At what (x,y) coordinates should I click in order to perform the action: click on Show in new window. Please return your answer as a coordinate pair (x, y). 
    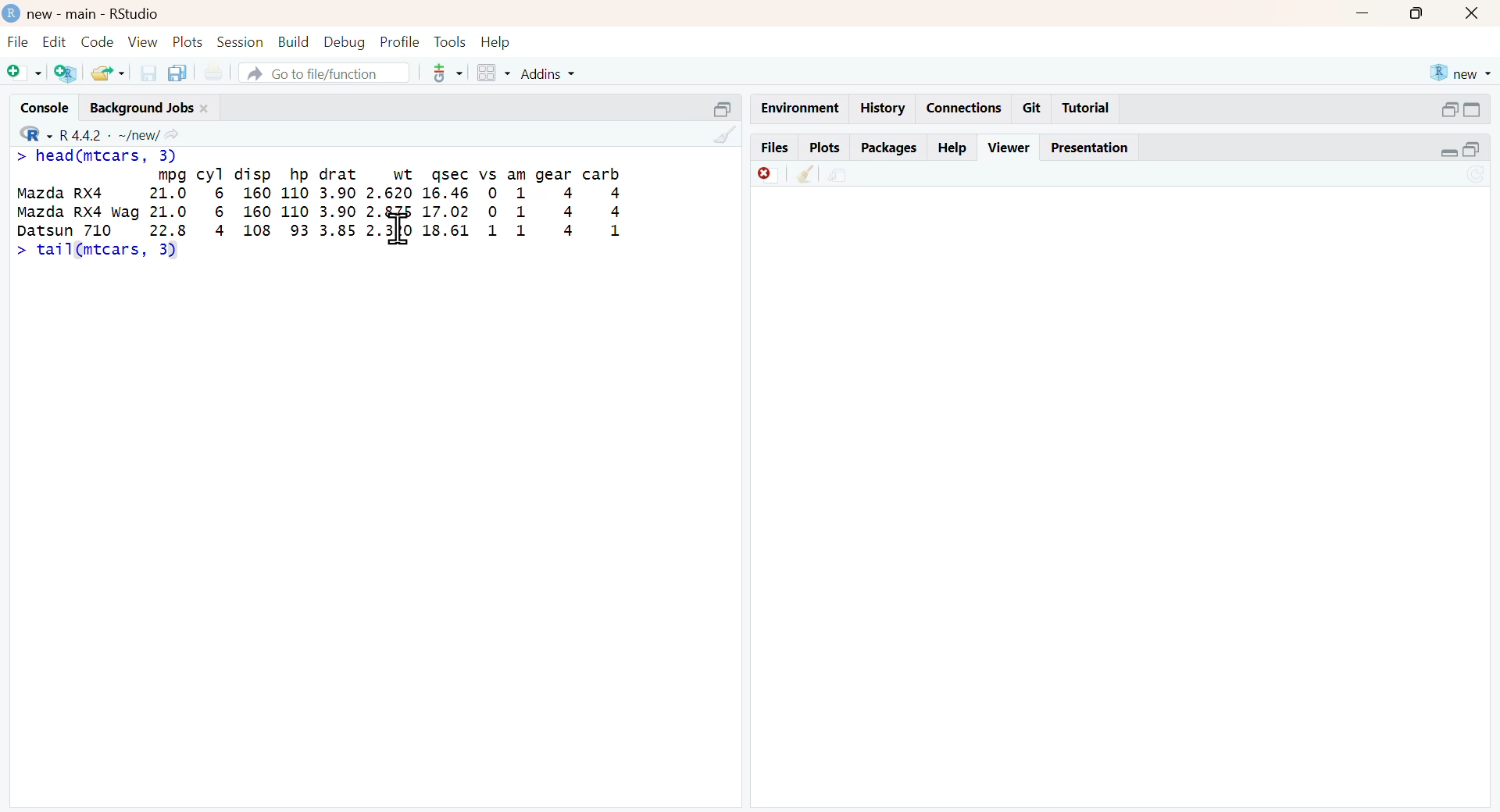
    Looking at the image, I should click on (837, 173).